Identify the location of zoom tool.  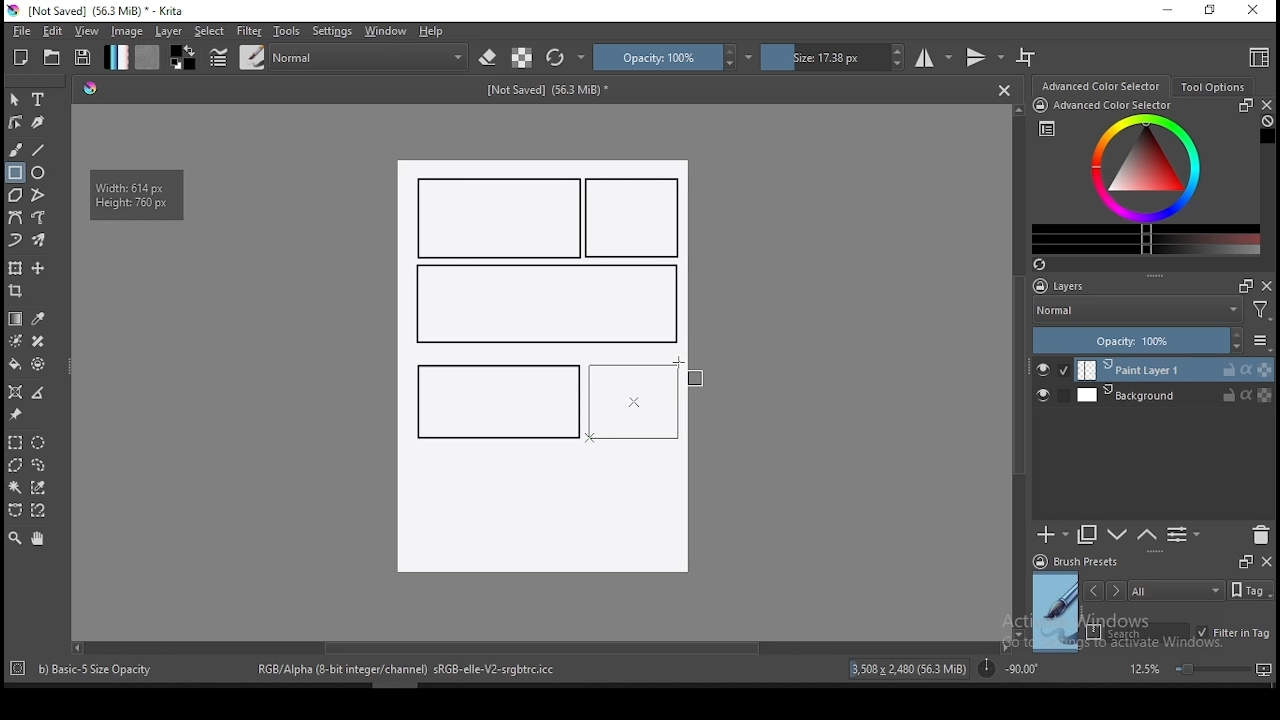
(15, 537).